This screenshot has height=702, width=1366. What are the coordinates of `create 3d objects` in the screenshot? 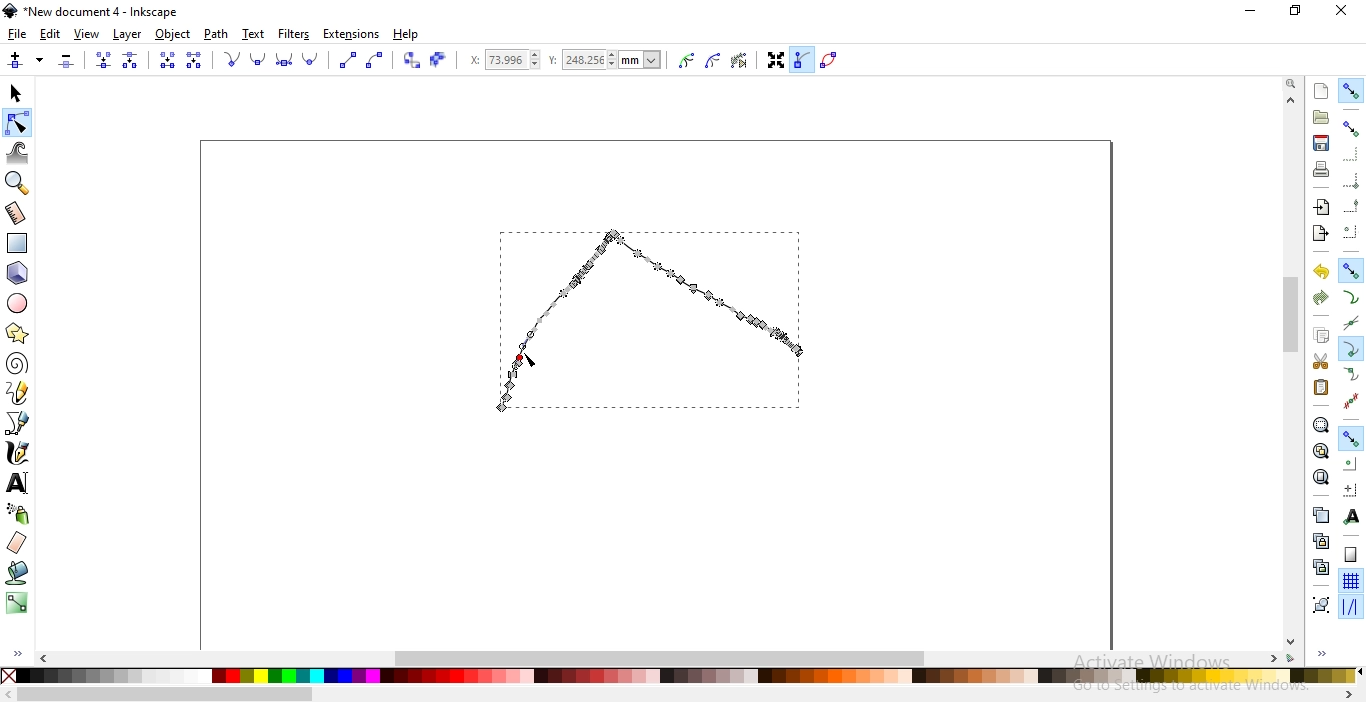 It's located at (18, 274).